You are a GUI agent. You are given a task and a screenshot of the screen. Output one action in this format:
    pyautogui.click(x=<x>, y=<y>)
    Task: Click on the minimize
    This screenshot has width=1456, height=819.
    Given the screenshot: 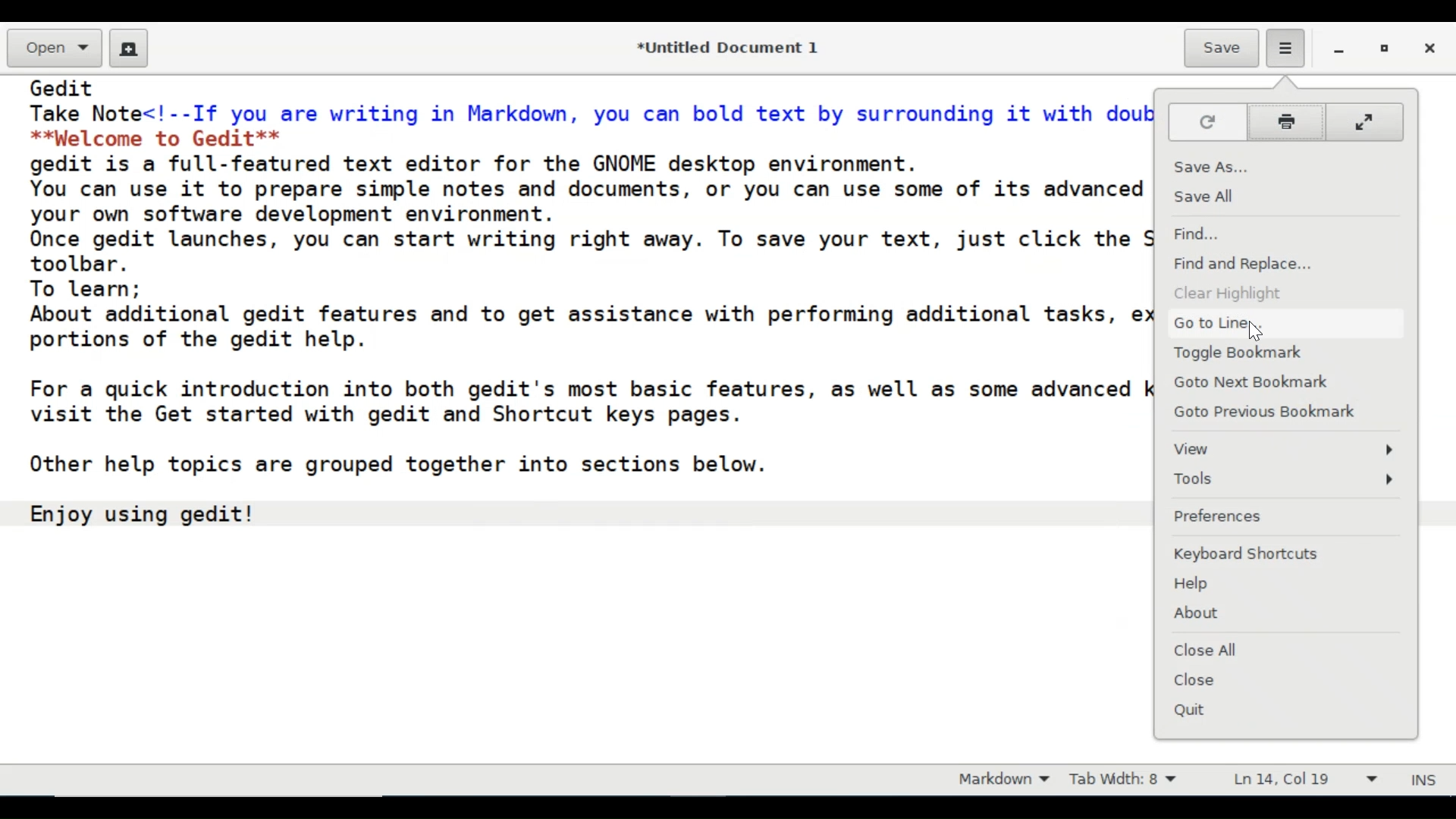 What is the action you would take?
    pyautogui.click(x=1341, y=51)
    